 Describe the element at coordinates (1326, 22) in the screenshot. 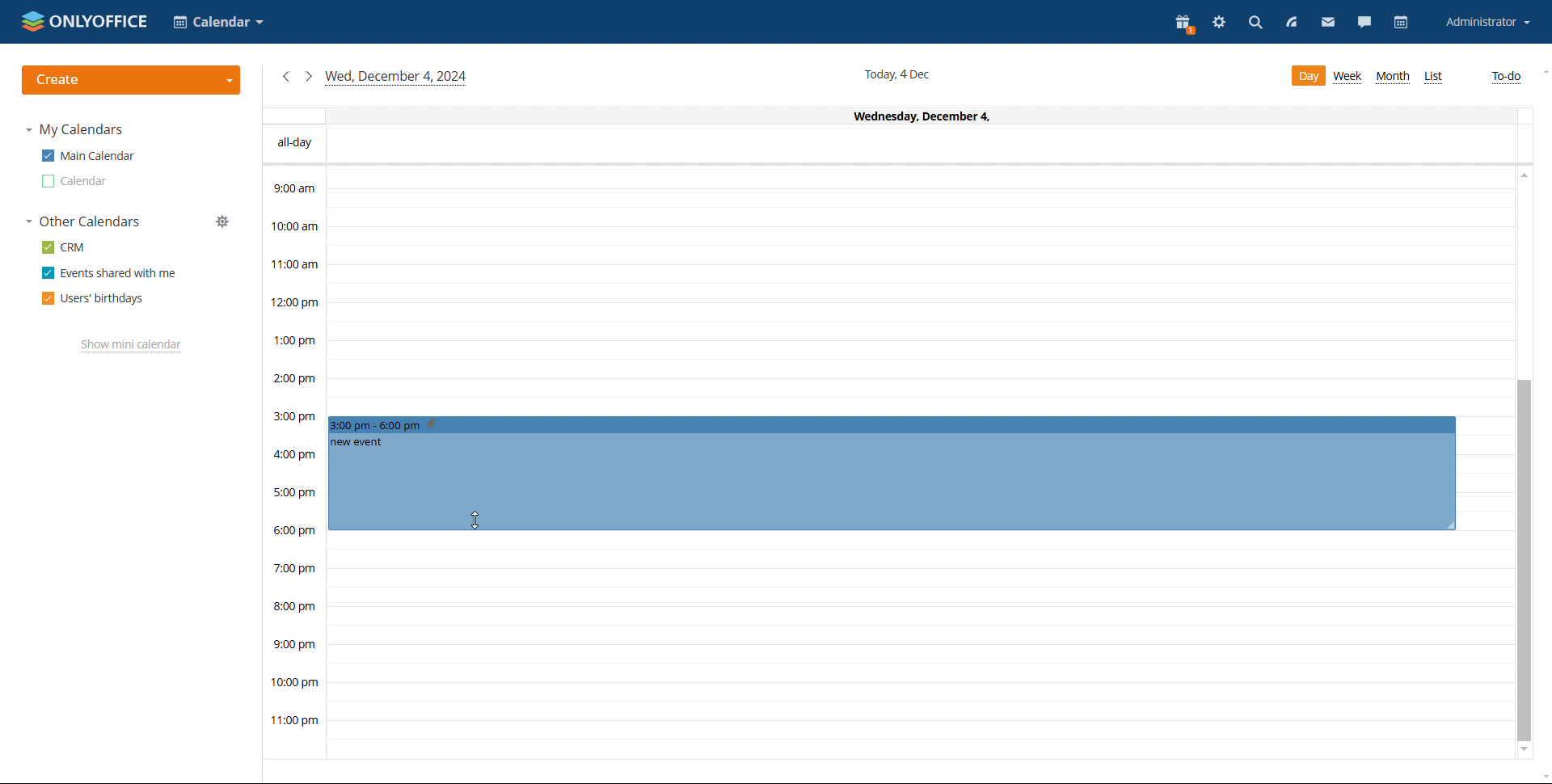

I see `mail` at that location.